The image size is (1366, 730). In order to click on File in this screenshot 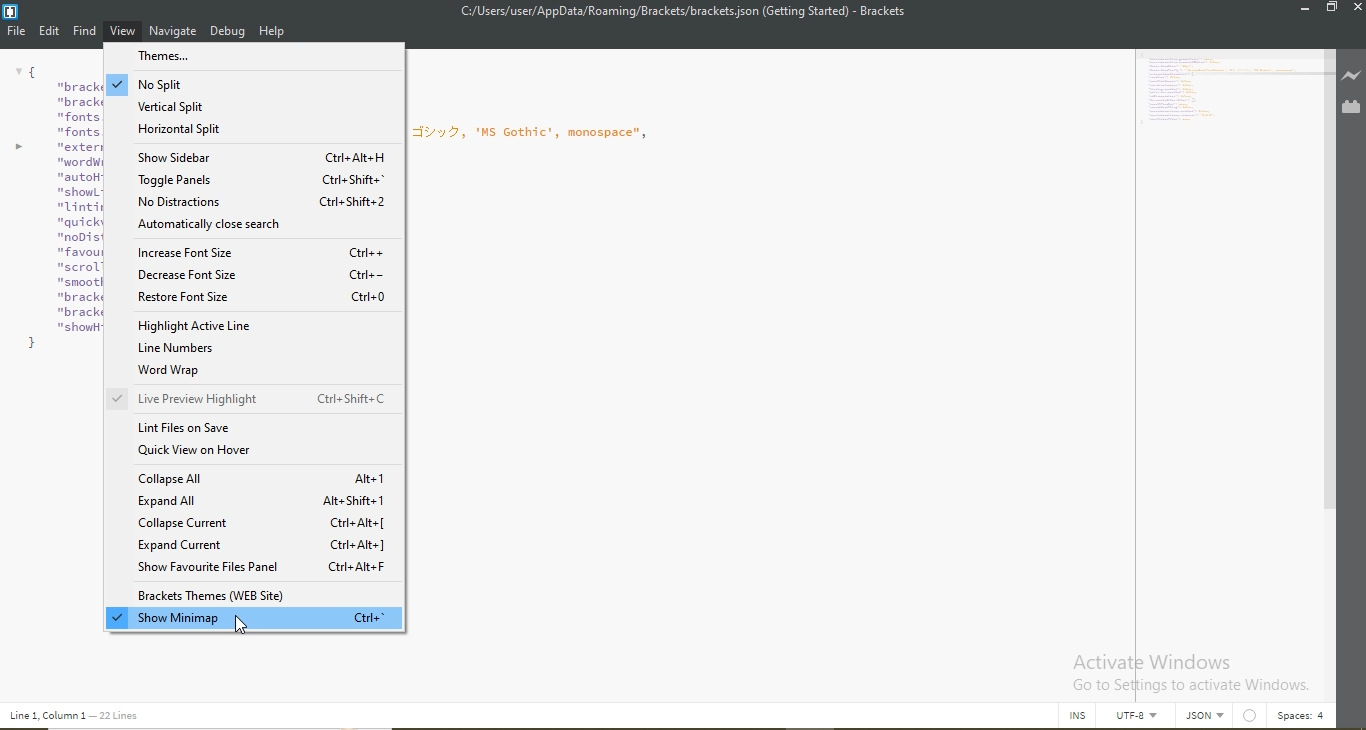, I will do `click(17, 34)`.